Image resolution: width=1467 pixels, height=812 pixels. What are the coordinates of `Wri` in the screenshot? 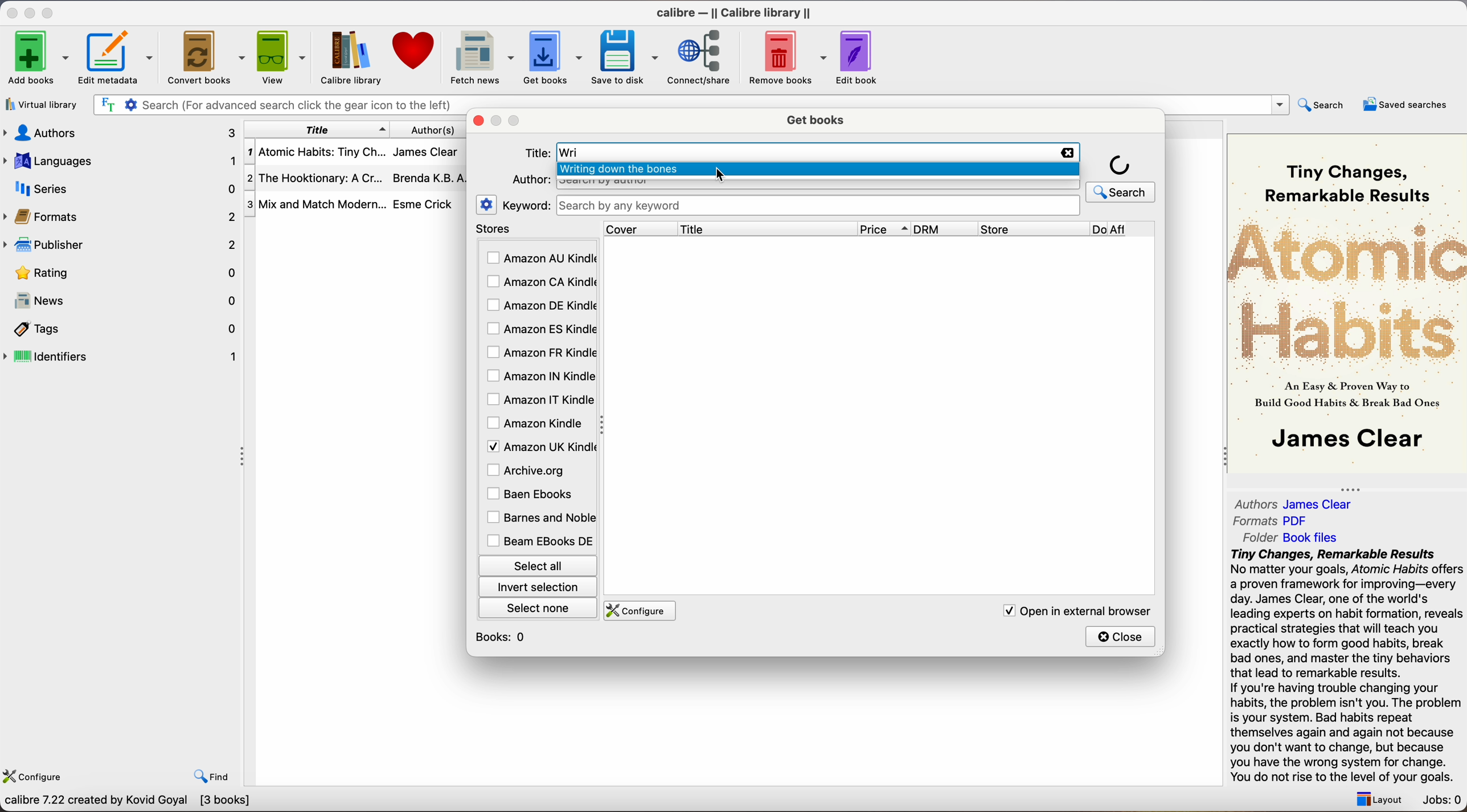 It's located at (571, 153).